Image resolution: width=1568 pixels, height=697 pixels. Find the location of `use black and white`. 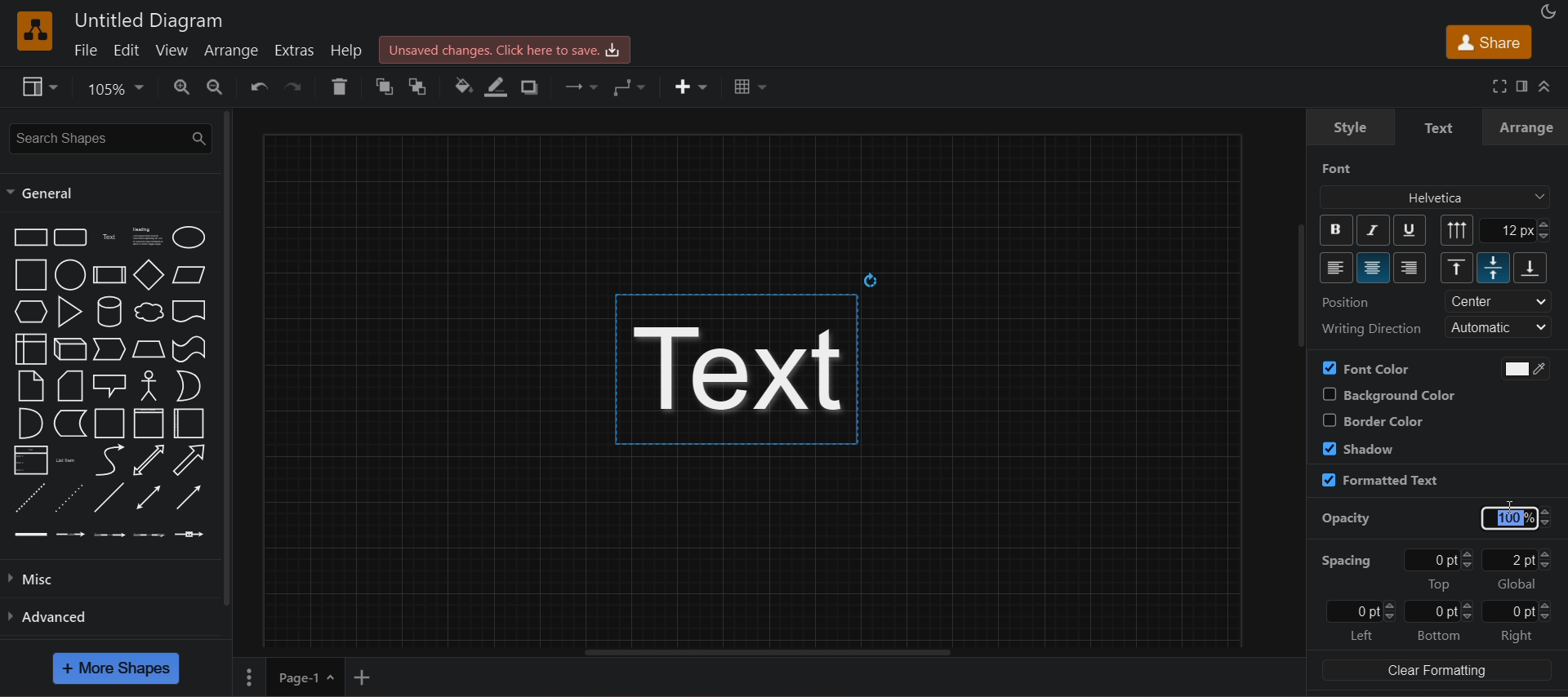

use black and white is located at coordinates (1519, 368).